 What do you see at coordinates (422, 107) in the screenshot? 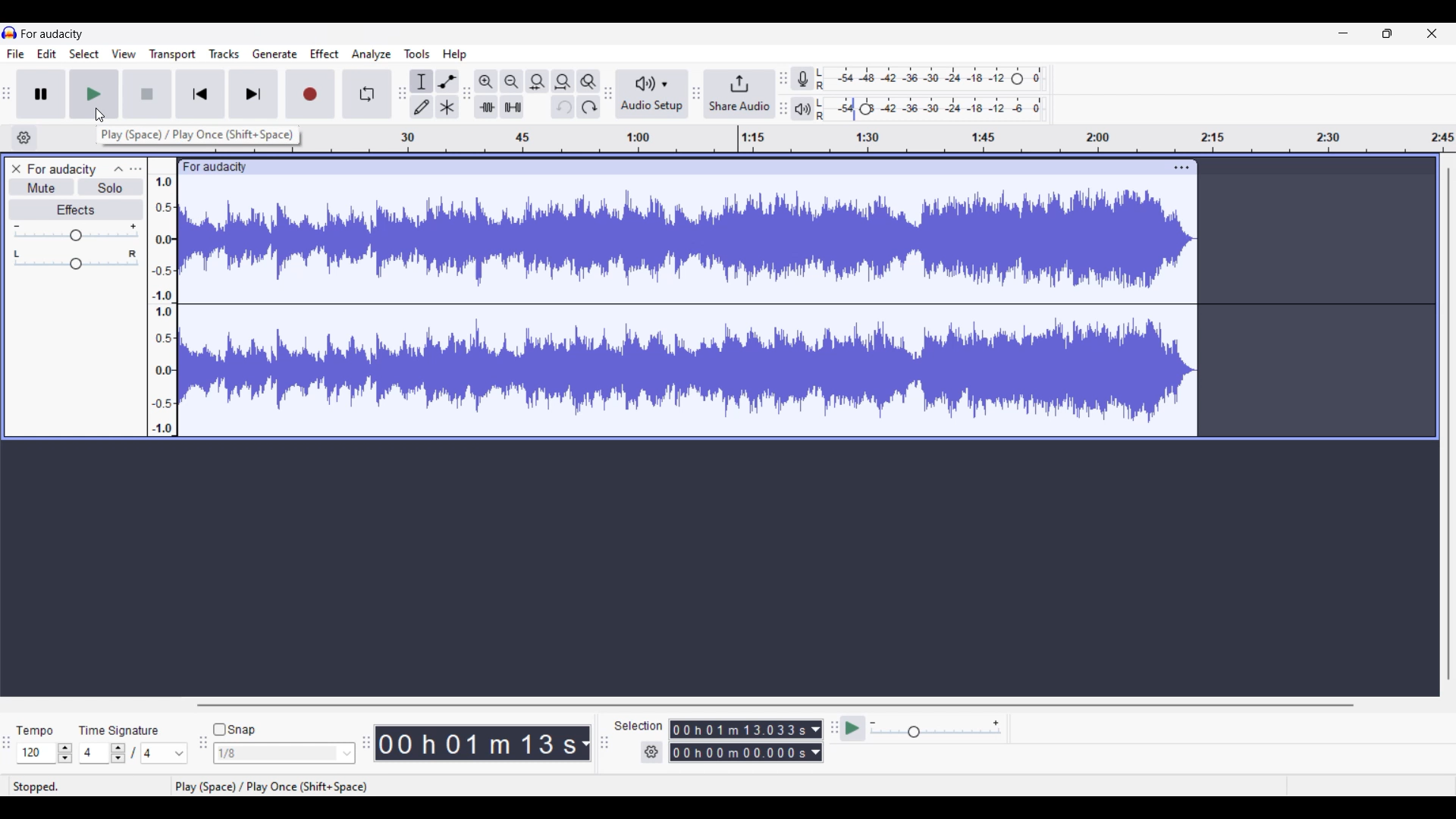
I see `Draw tool` at bounding box center [422, 107].